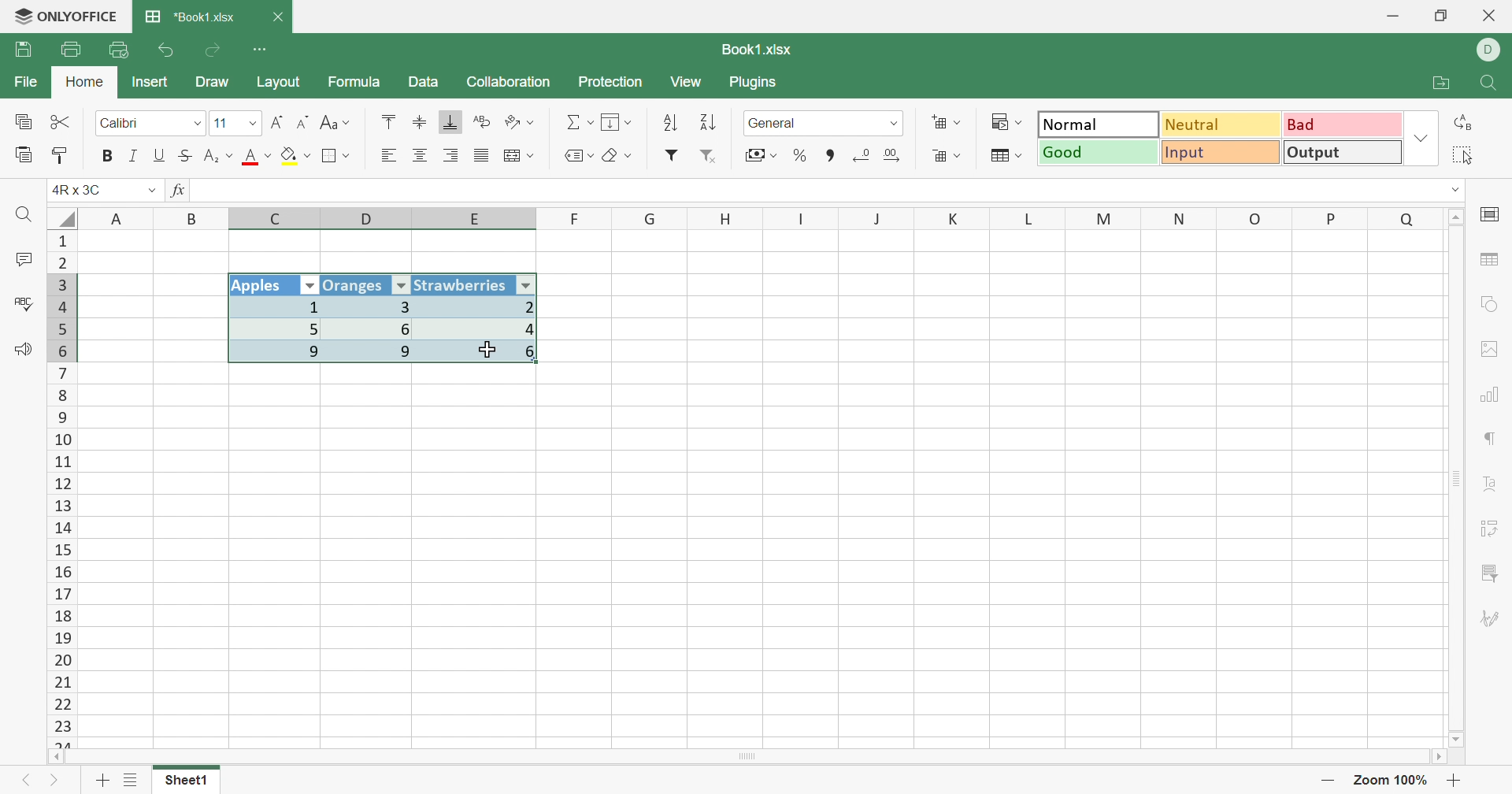 The width and height of the screenshot is (1512, 794). I want to click on Formula, so click(353, 84).